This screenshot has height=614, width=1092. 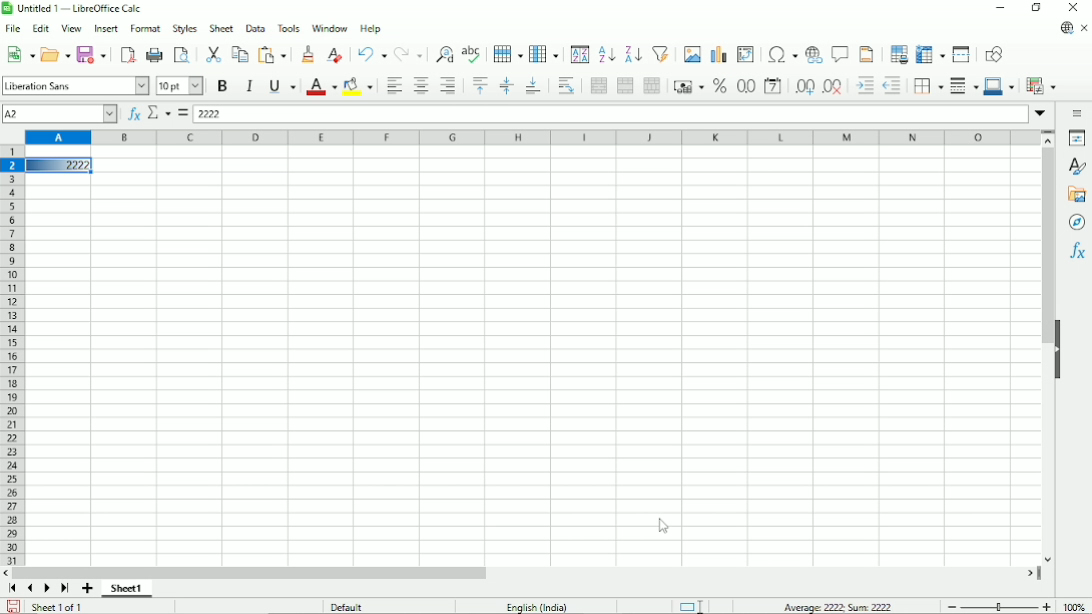 What do you see at coordinates (931, 53) in the screenshot?
I see `Freeze row and column` at bounding box center [931, 53].